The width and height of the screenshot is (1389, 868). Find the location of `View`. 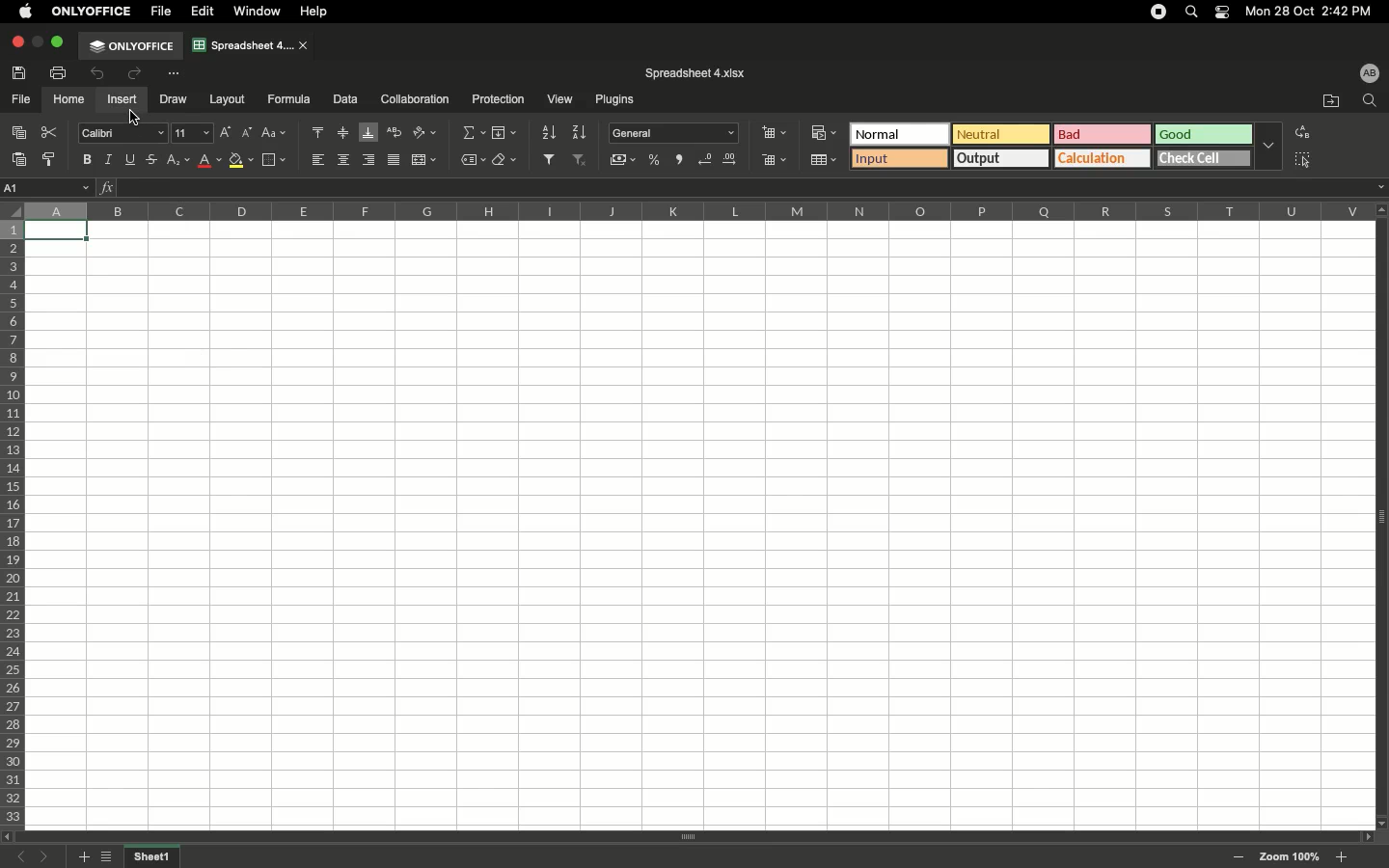

View is located at coordinates (558, 100).